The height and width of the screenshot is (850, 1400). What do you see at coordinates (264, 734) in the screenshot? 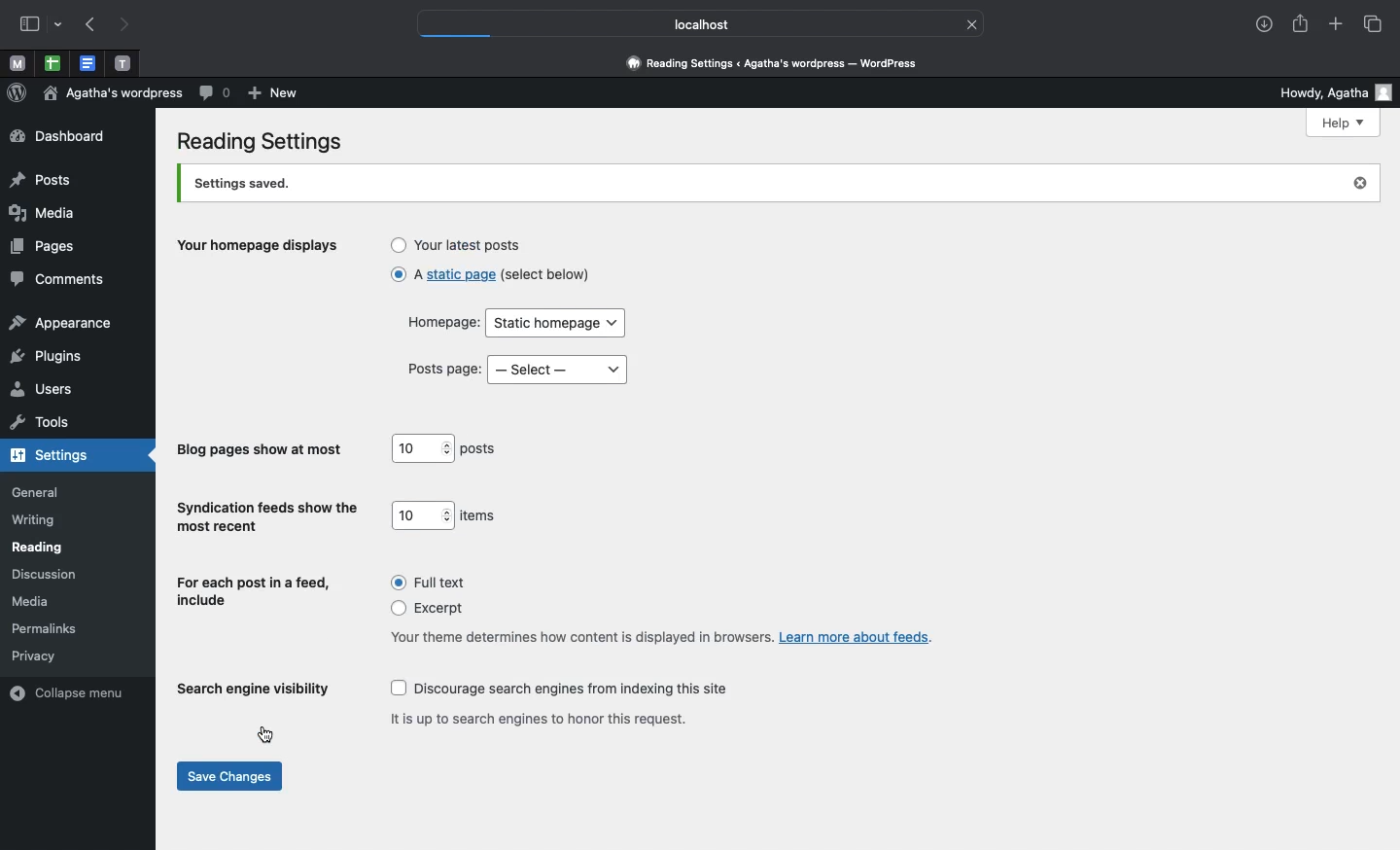
I see `cursor` at bounding box center [264, 734].